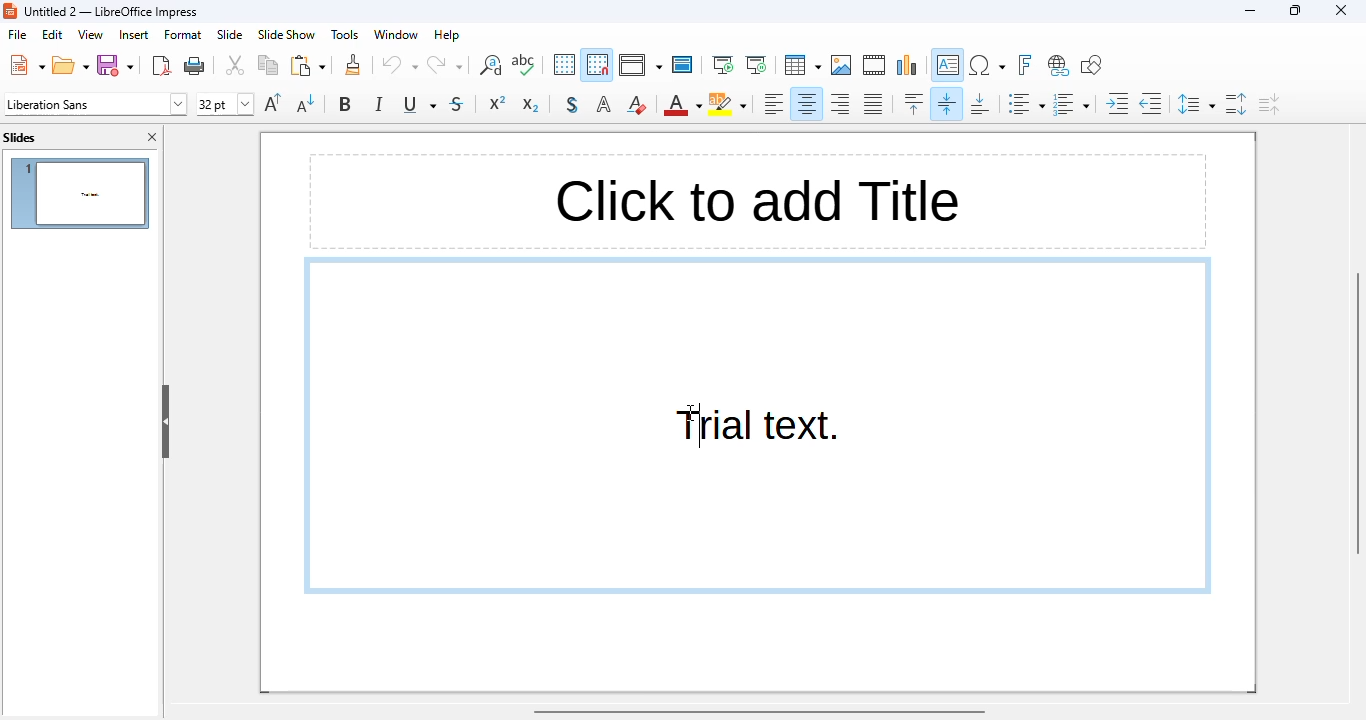  What do you see at coordinates (802, 64) in the screenshot?
I see `table` at bounding box center [802, 64].